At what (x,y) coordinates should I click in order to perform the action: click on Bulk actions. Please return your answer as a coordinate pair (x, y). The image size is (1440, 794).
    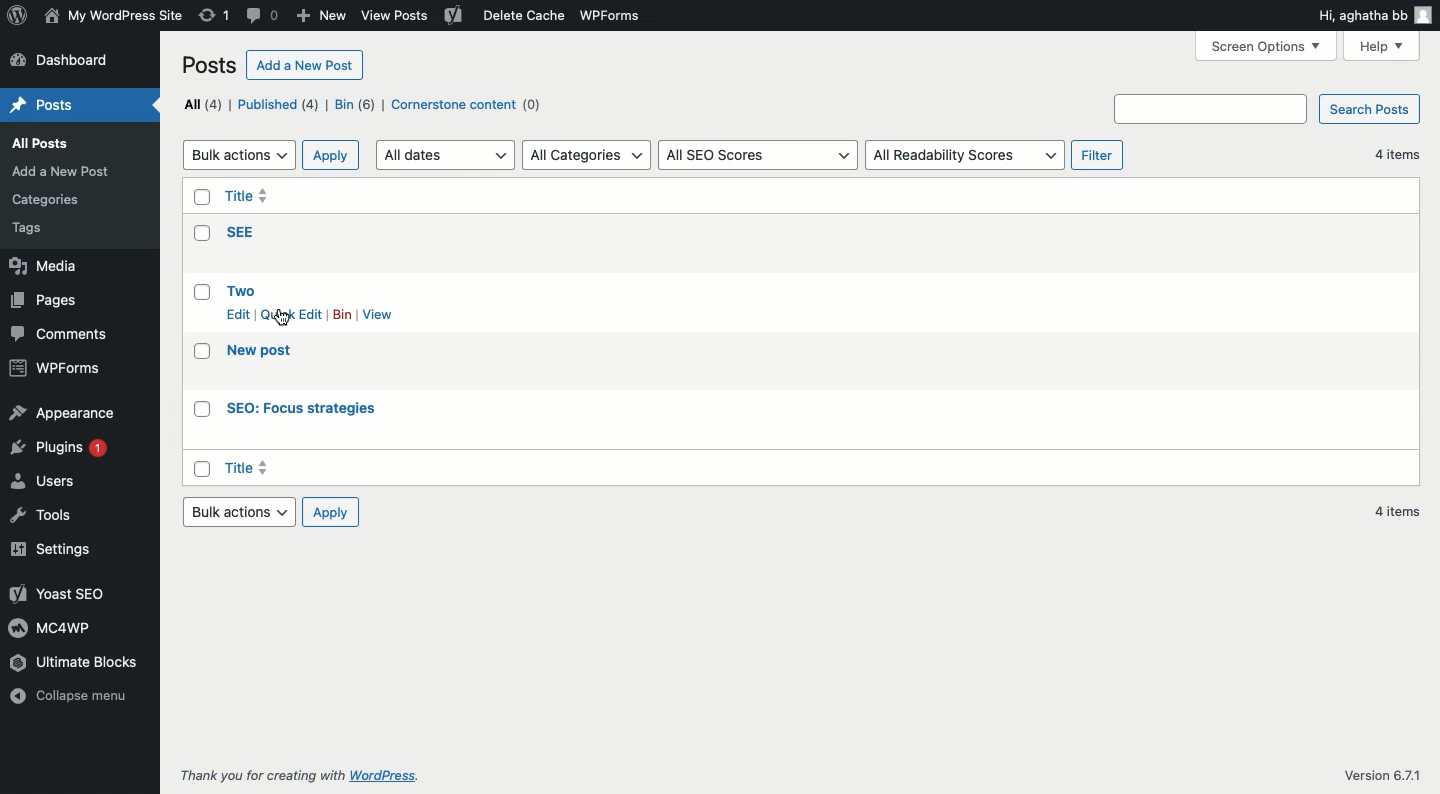
    Looking at the image, I should click on (239, 155).